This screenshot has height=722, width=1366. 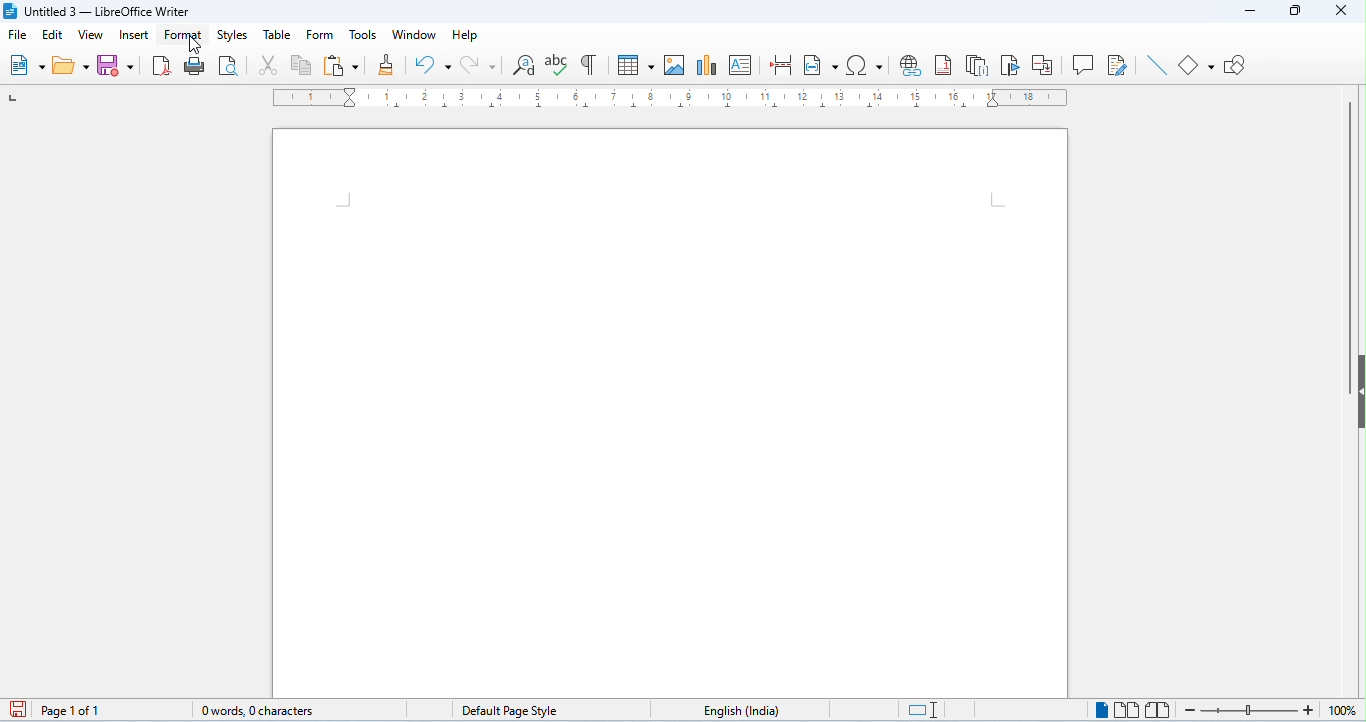 What do you see at coordinates (1349, 247) in the screenshot?
I see `vertical scroll bar` at bounding box center [1349, 247].